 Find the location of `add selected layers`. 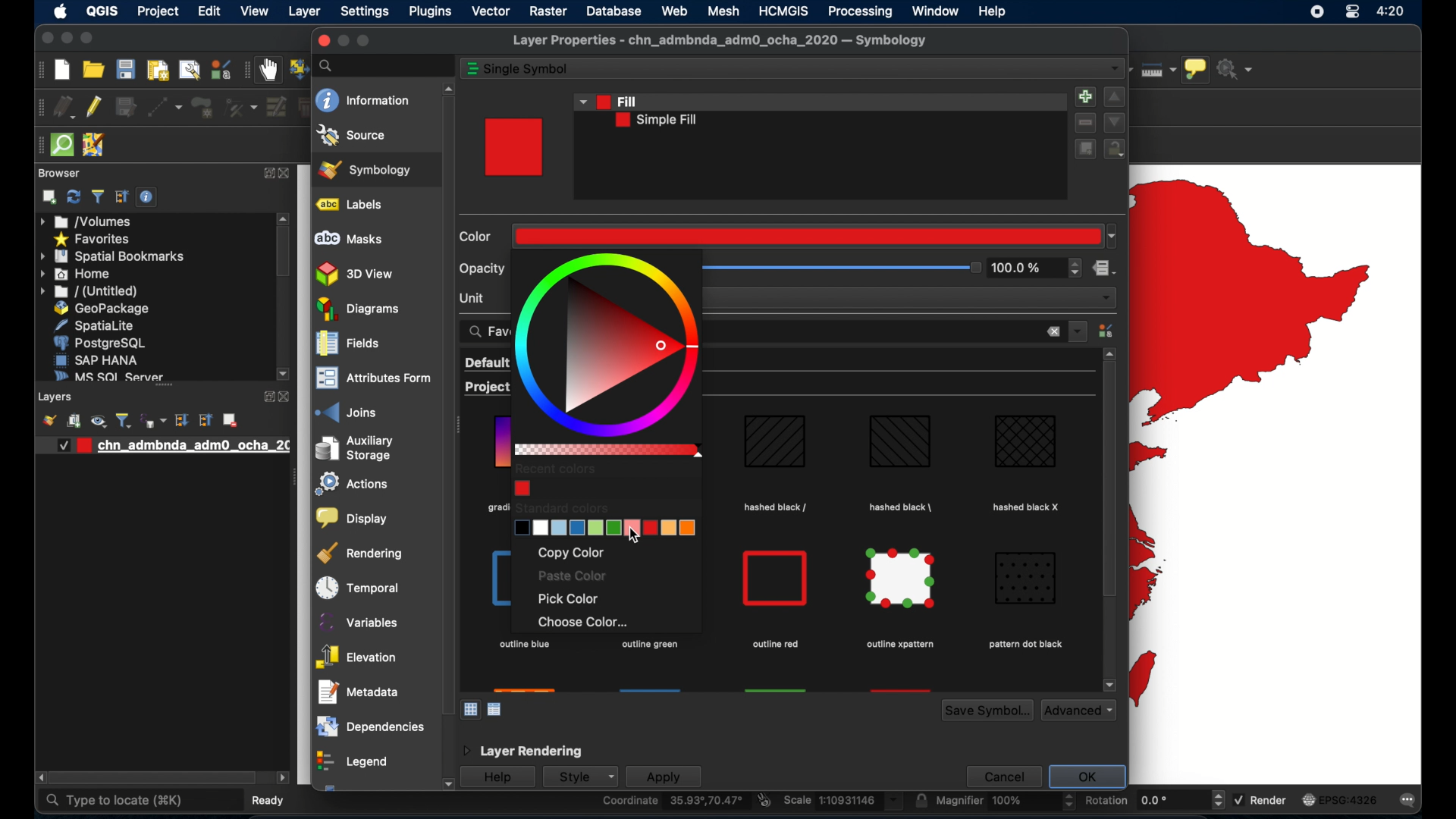

add selected layers is located at coordinates (49, 197).